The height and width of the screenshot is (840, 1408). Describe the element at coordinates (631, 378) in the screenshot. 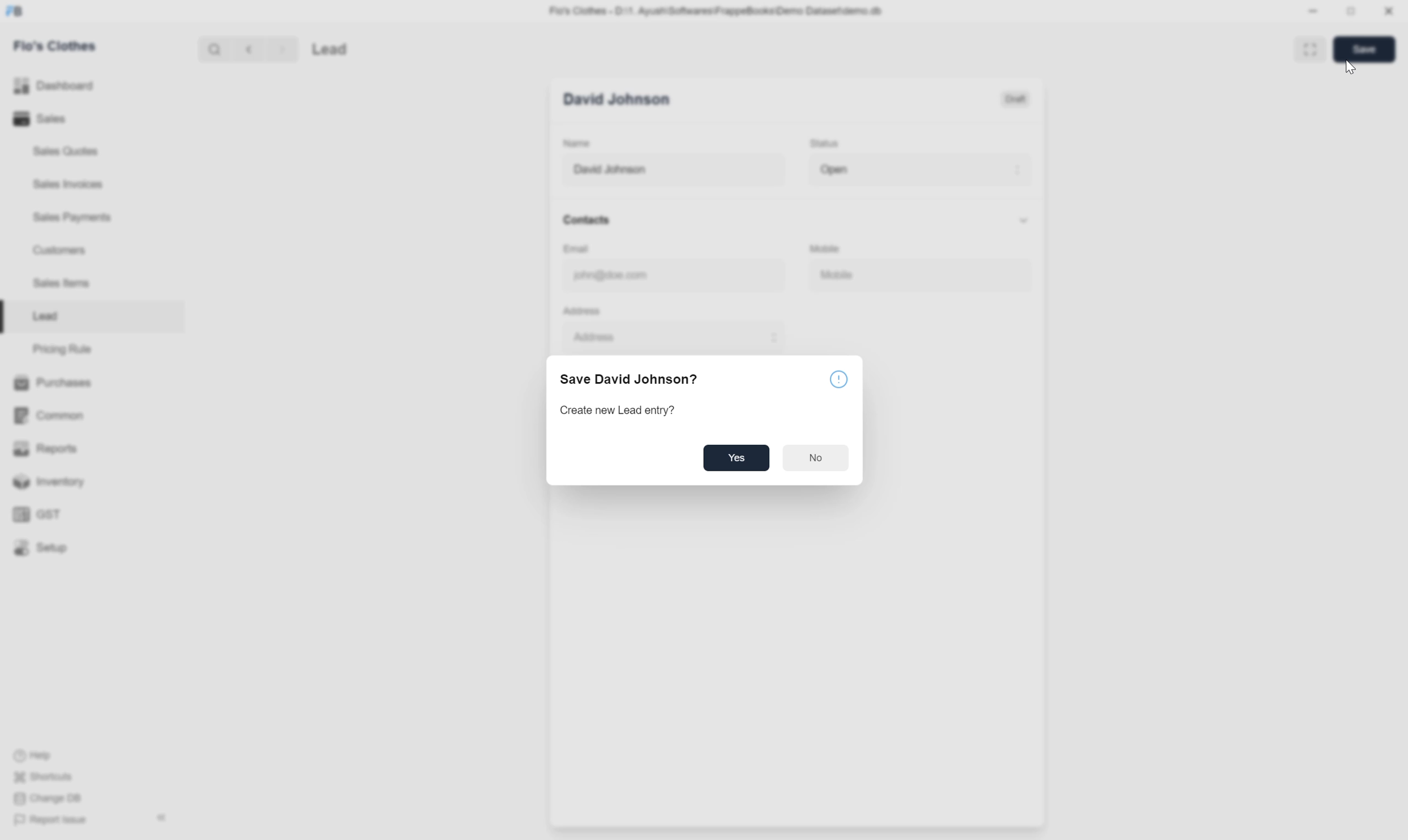

I see `Save David Johnson?` at that location.